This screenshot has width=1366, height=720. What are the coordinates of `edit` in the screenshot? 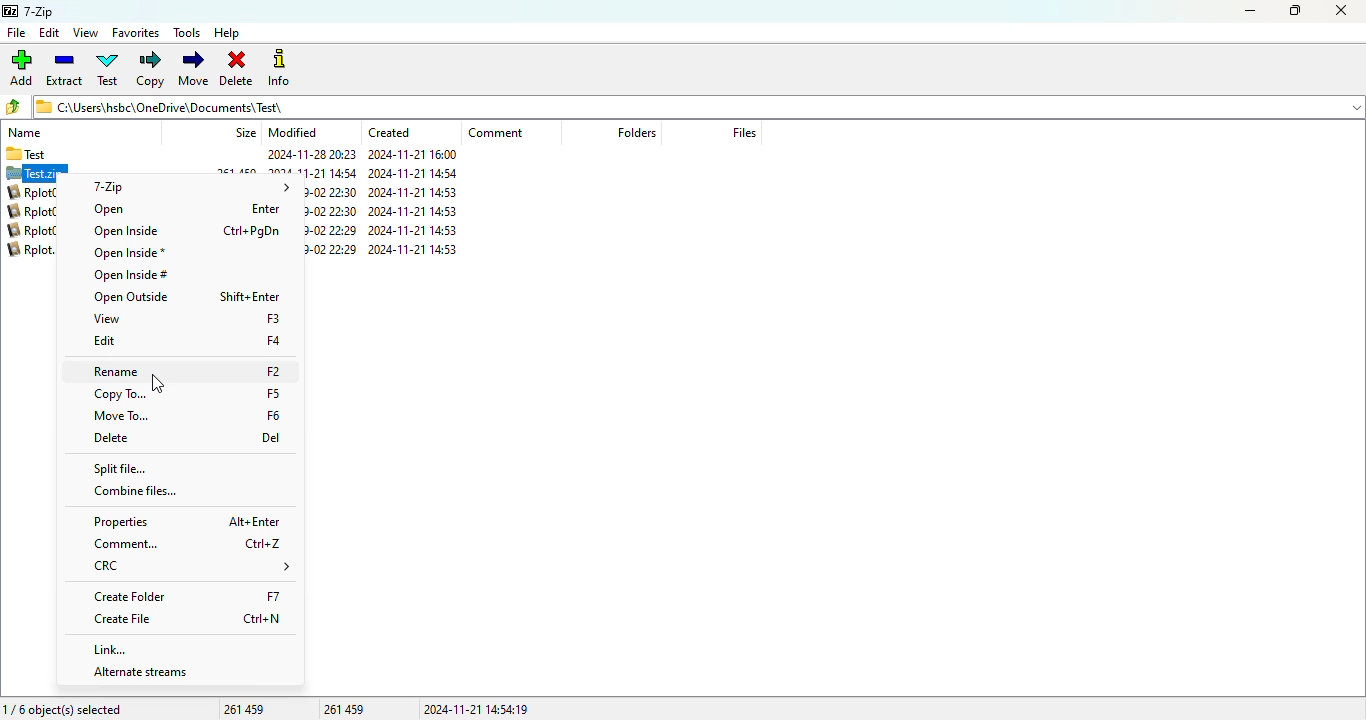 It's located at (50, 33).